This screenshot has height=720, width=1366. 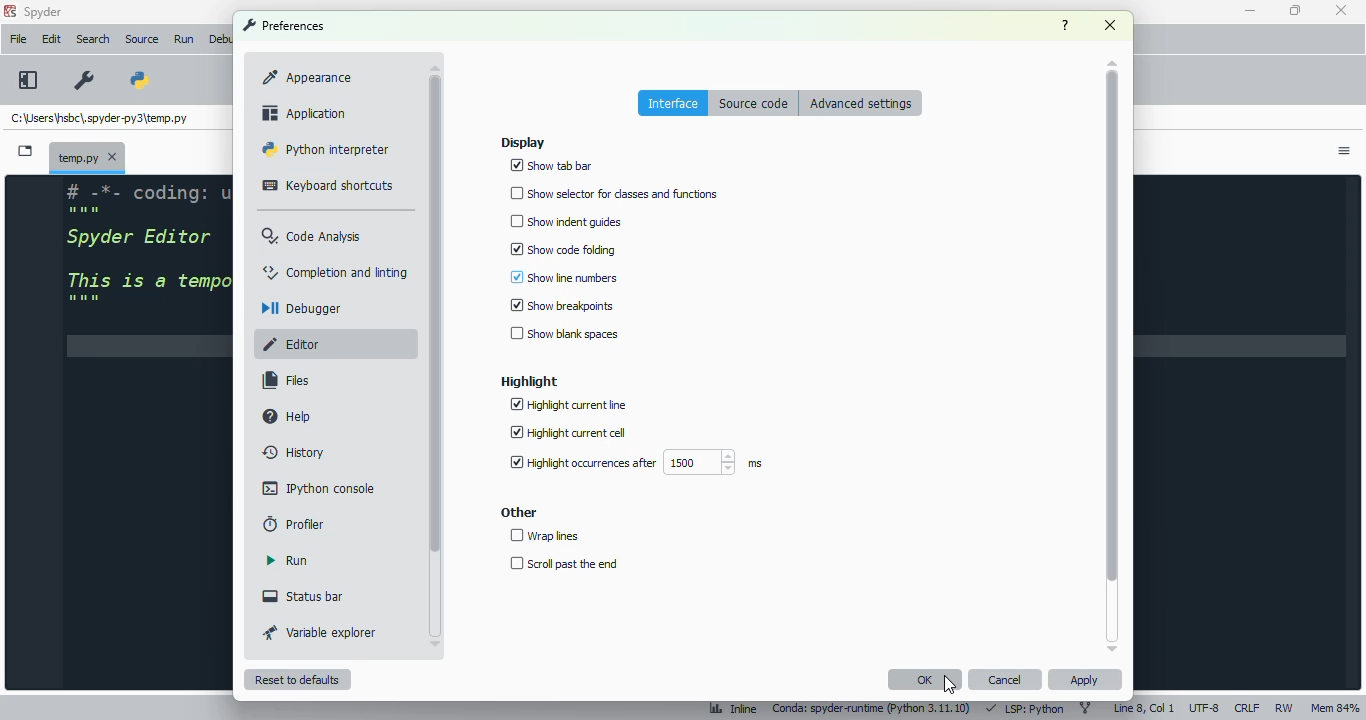 I want to click on interface, so click(x=674, y=103).